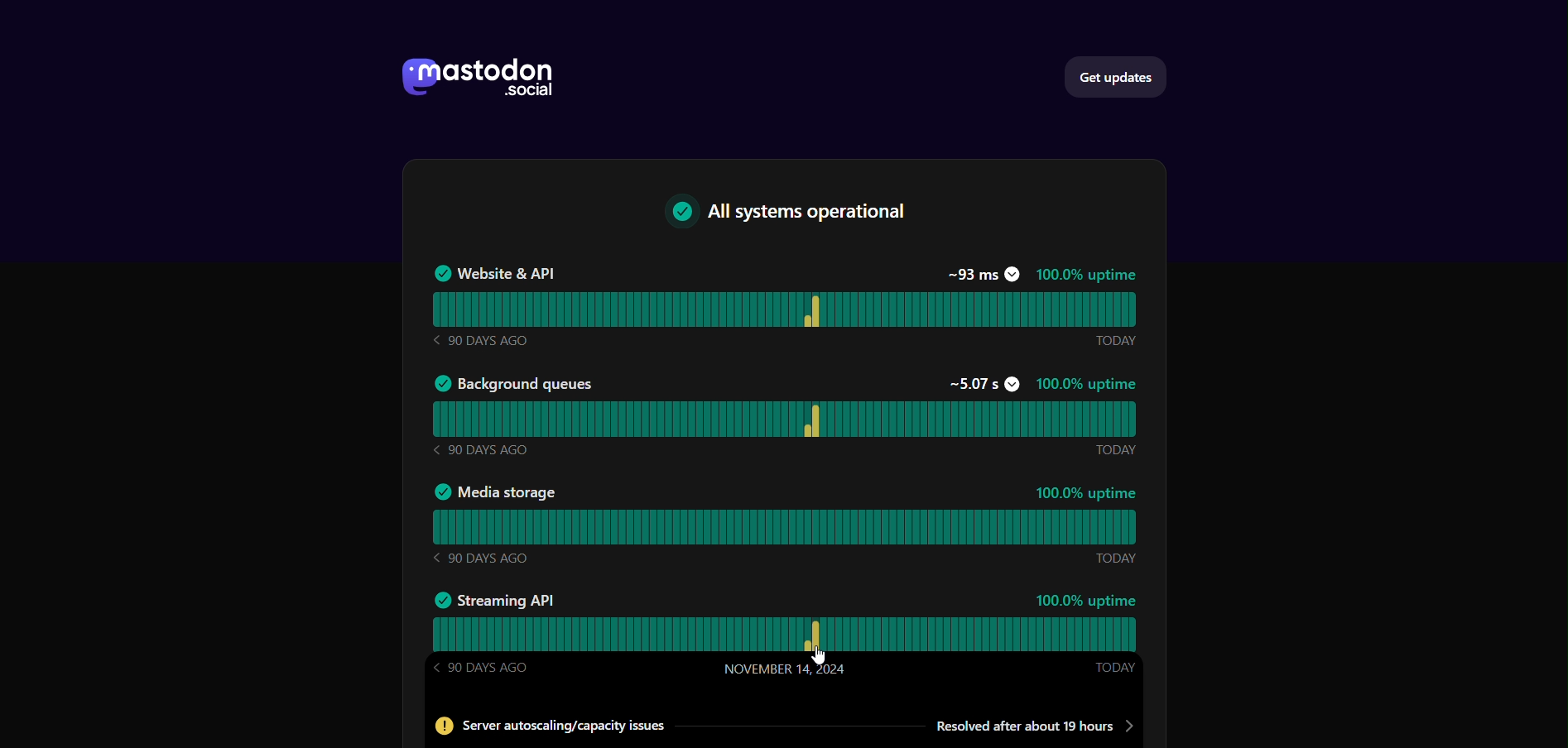 This screenshot has width=1568, height=748. What do you see at coordinates (1115, 341) in the screenshot?
I see `Today` at bounding box center [1115, 341].